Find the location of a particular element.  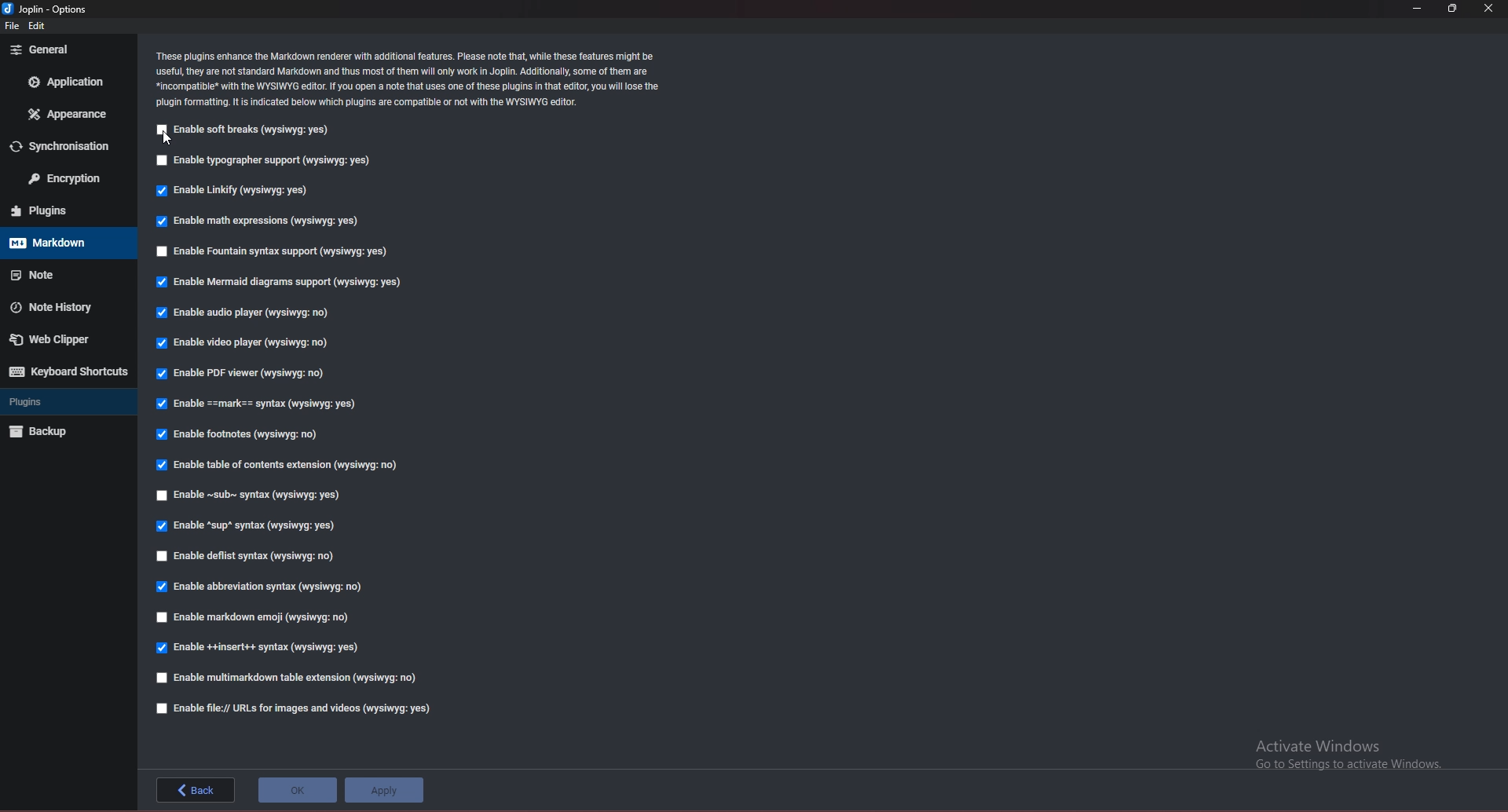

enable file url for images and videos is located at coordinates (296, 708).